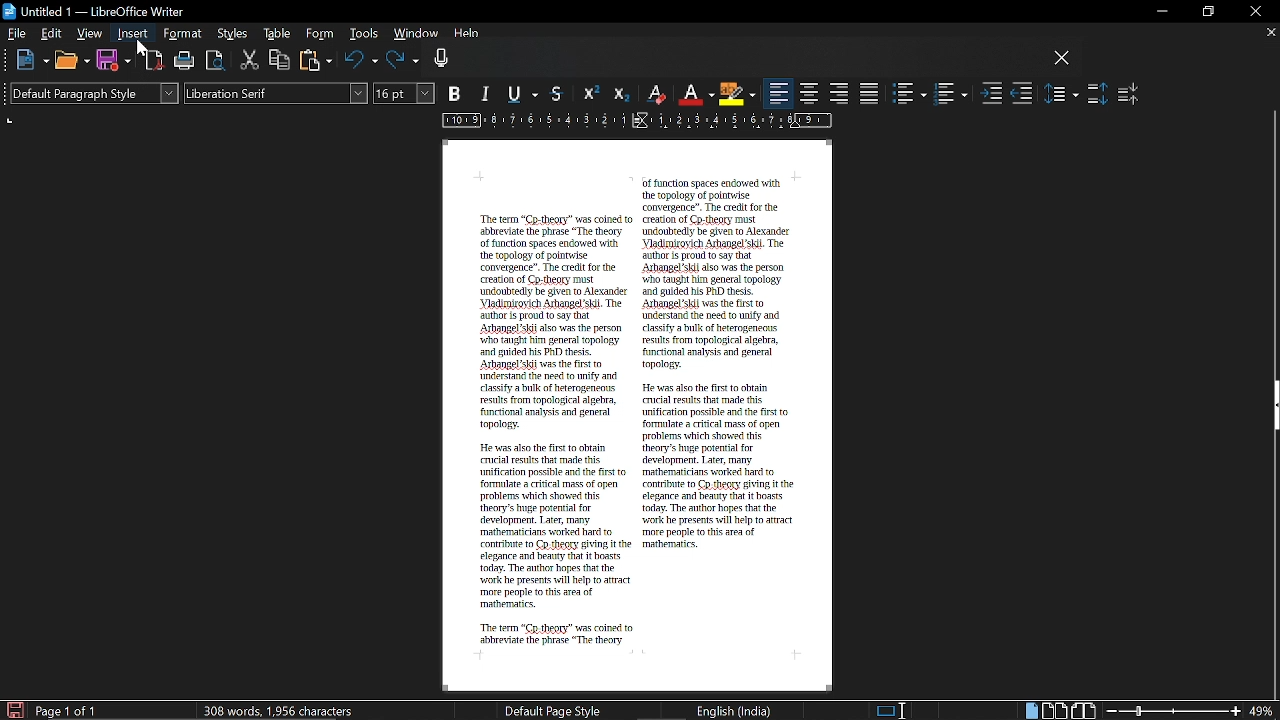 The image size is (1280, 720). Describe the element at coordinates (141, 48) in the screenshot. I see `cursor` at that location.